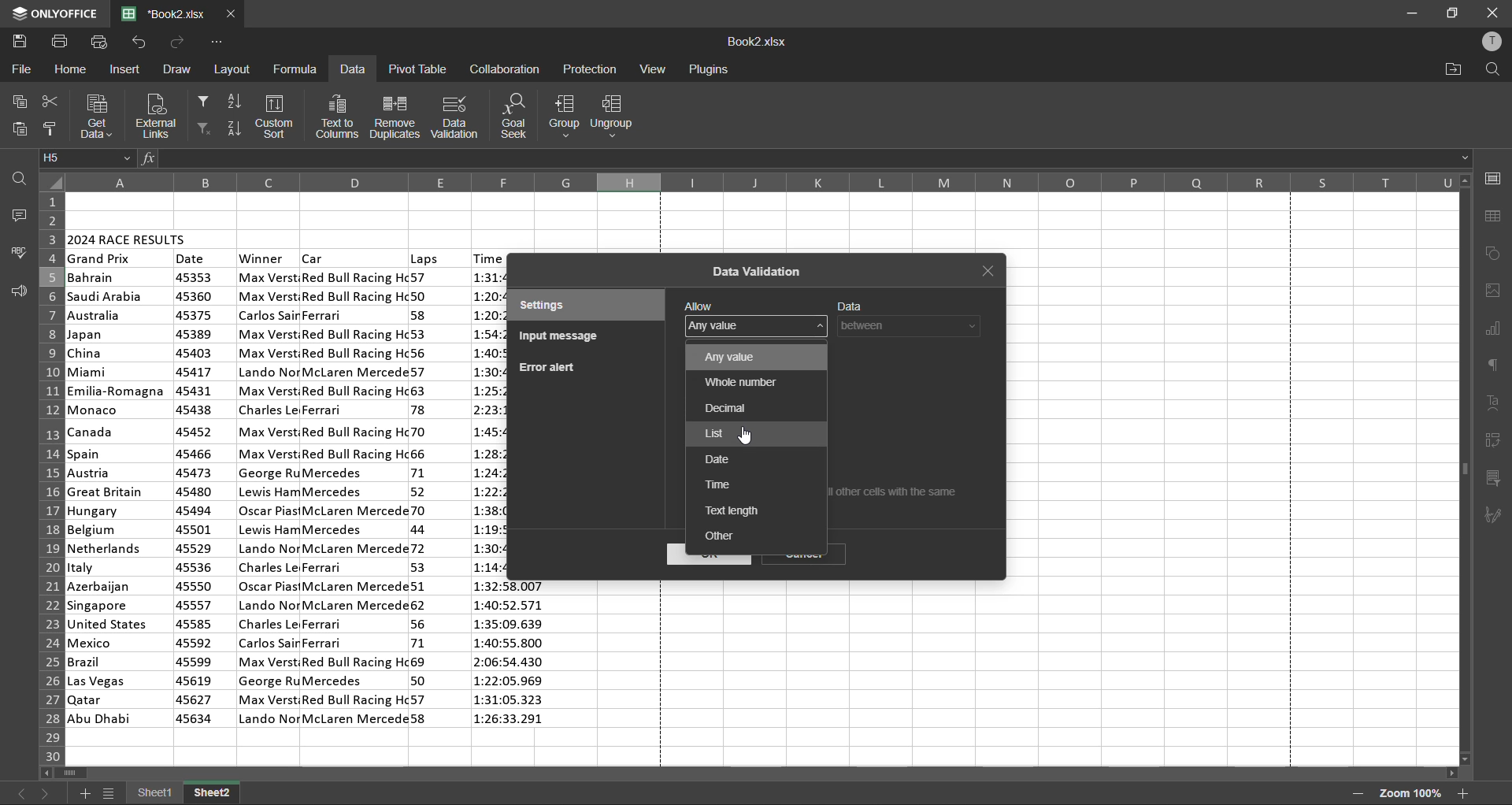 The width and height of the screenshot is (1512, 805). I want to click on sheet names, so click(184, 795).